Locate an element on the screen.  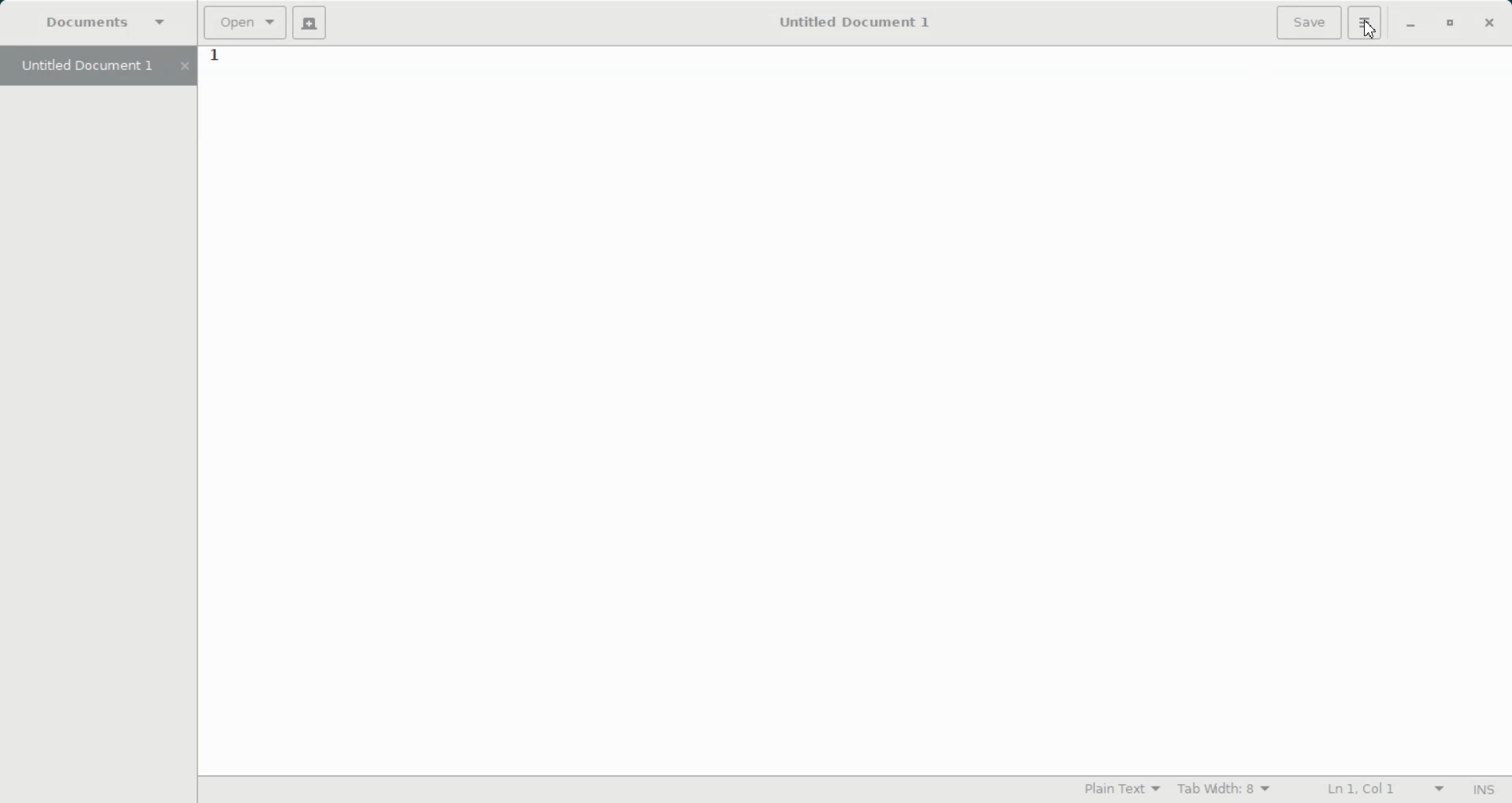
Save is located at coordinates (1309, 22).